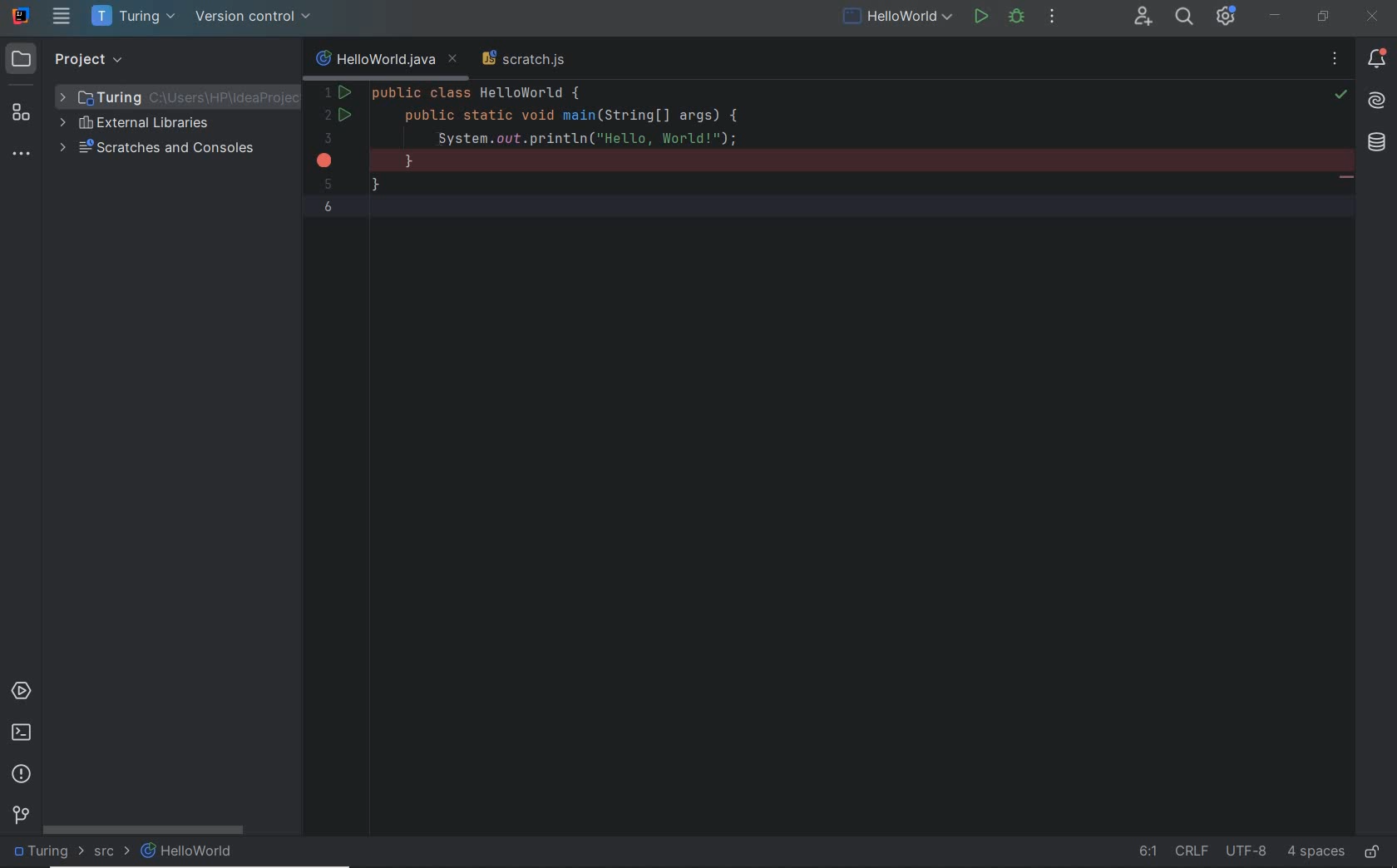 The width and height of the screenshot is (1397, 868). I want to click on minimize, so click(1277, 16).